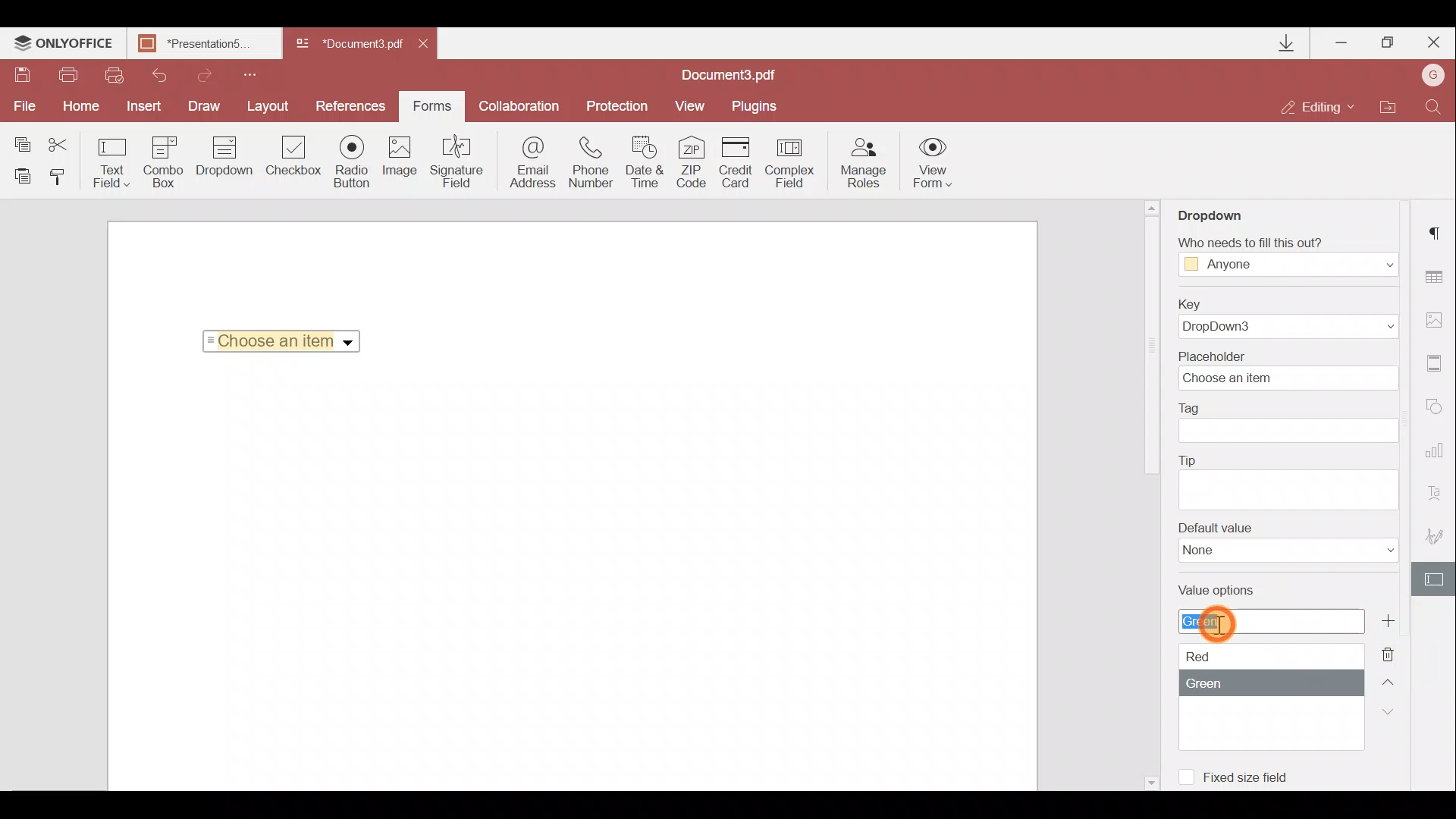 The width and height of the screenshot is (1456, 819). What do you see at coordinates (162, 162) in the screenshot?
I see `Combo box` at bounding box center [162, 162].